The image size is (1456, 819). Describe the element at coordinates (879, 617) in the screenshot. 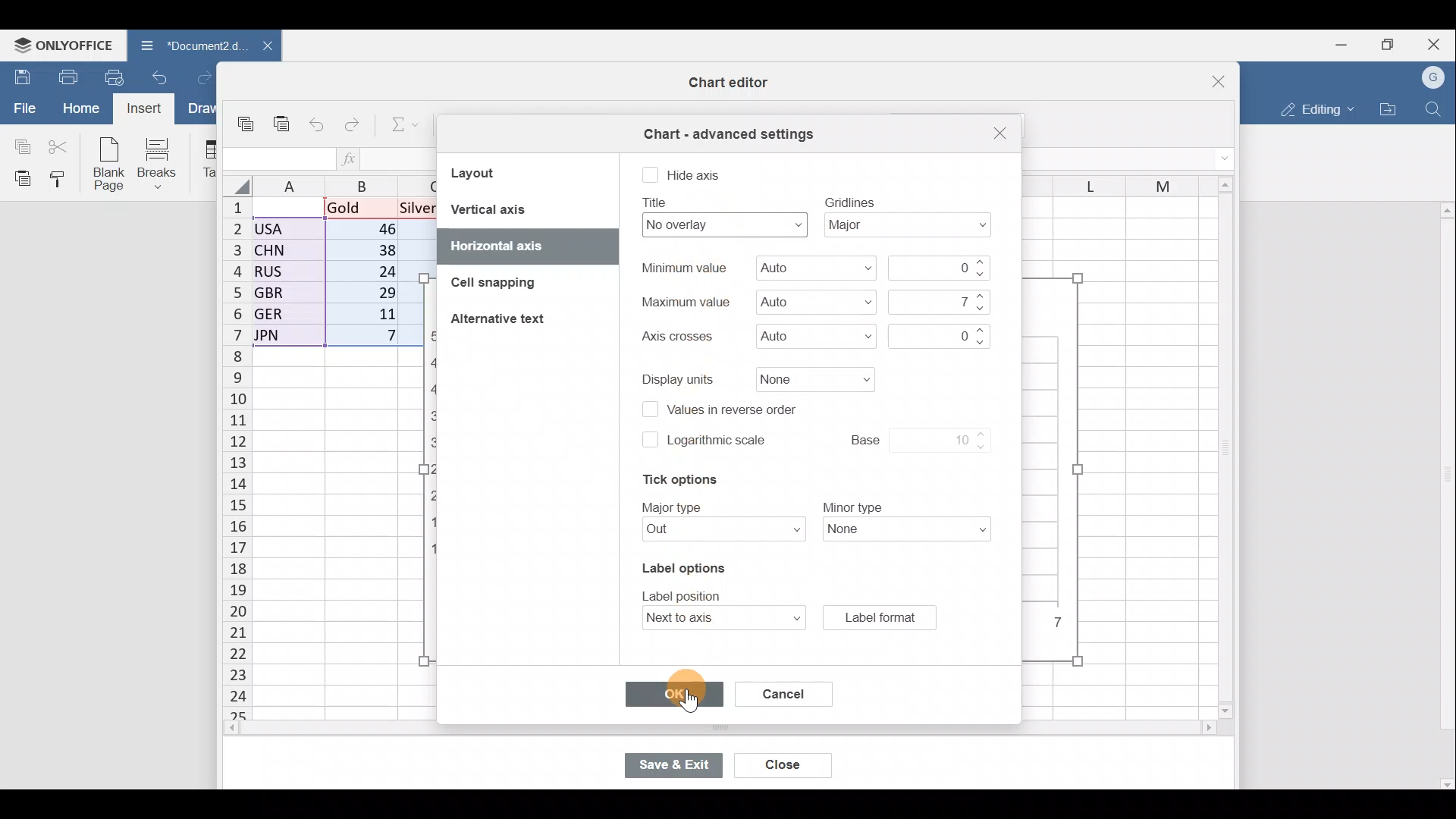

I see `Label format` at that location.